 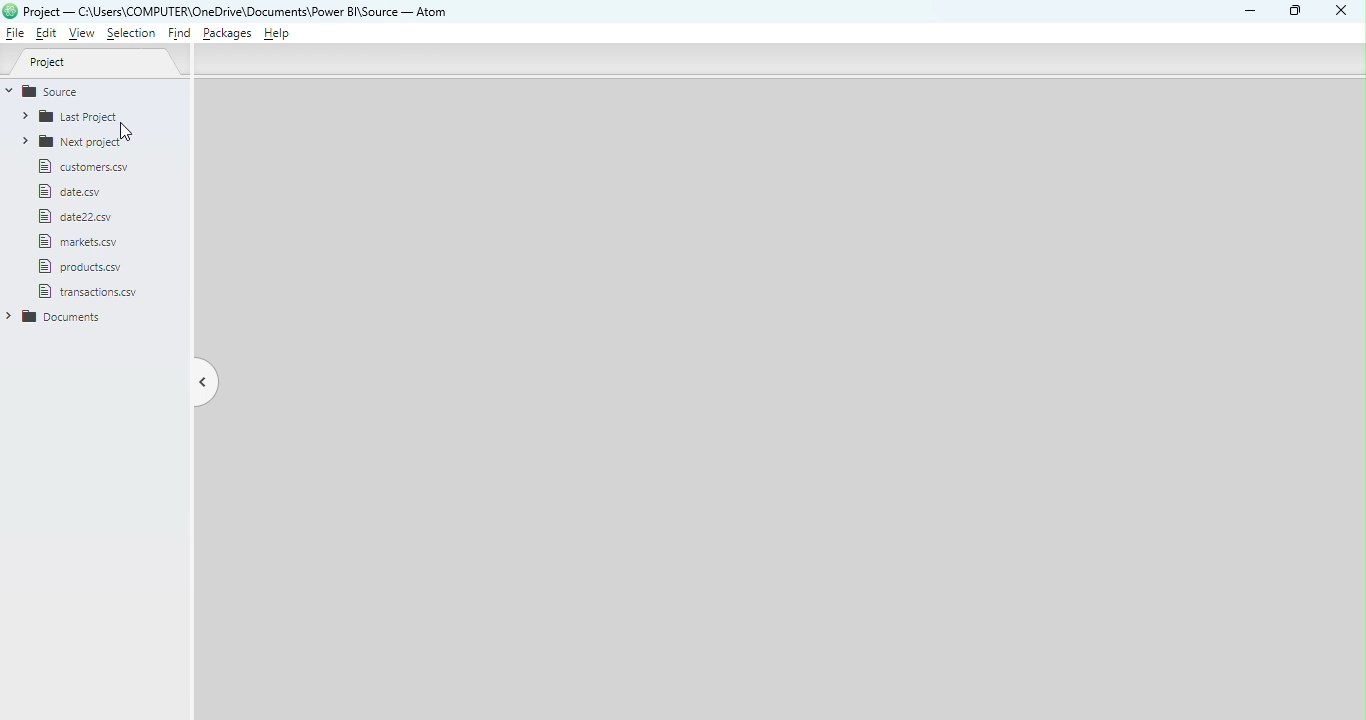 What do you see at coordinates (79, 242) in the screenshot?
I see `File` at bounding box center [79, 242].